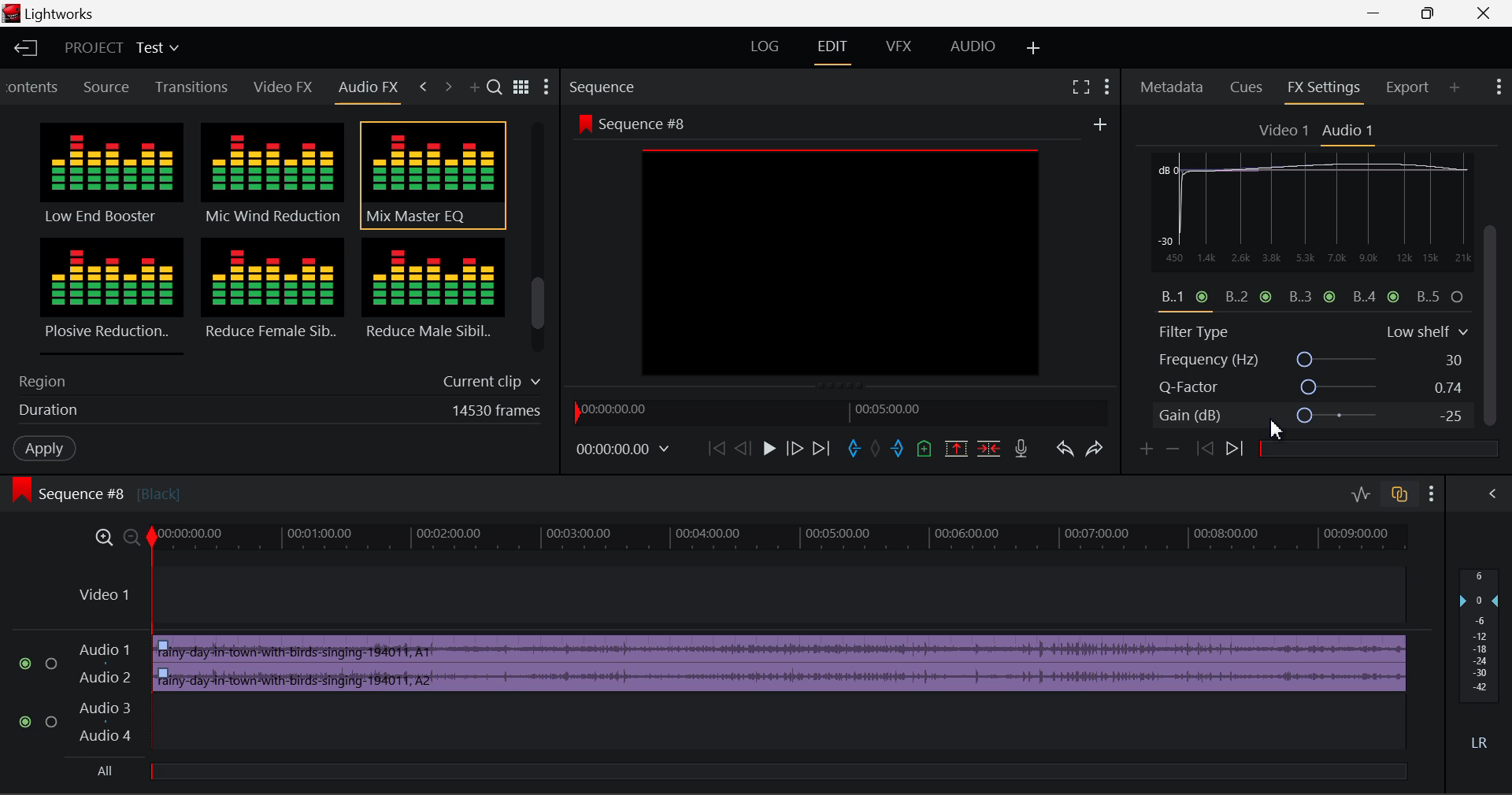  What do you see at coordinates (879, 449) in the screenshot?
I see `Remove all marks` at bounding box center [879, 449].